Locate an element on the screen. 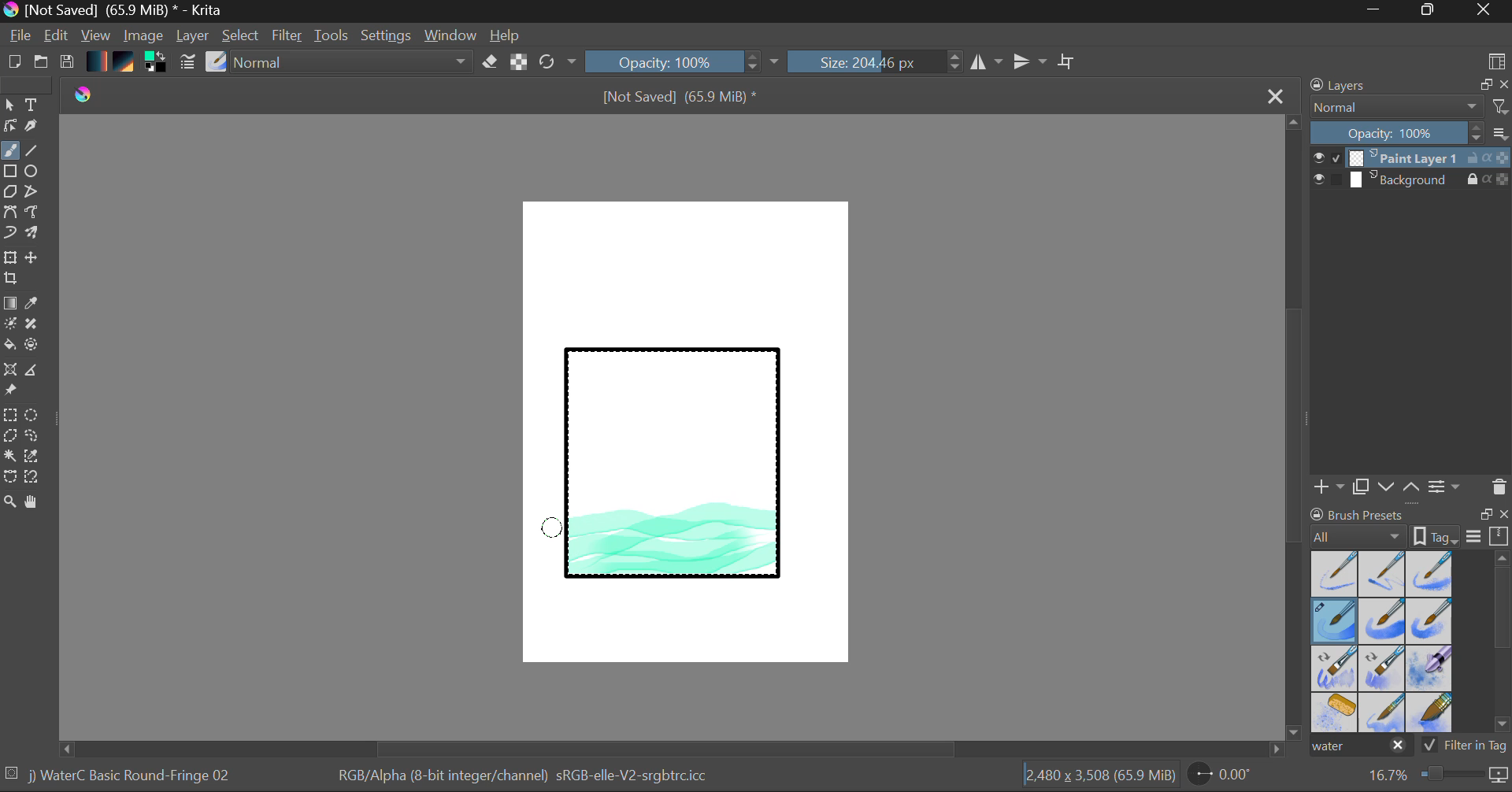 This screenshot has height=792, width=1512. Fill Gradient is located at coordinates (10, 302).